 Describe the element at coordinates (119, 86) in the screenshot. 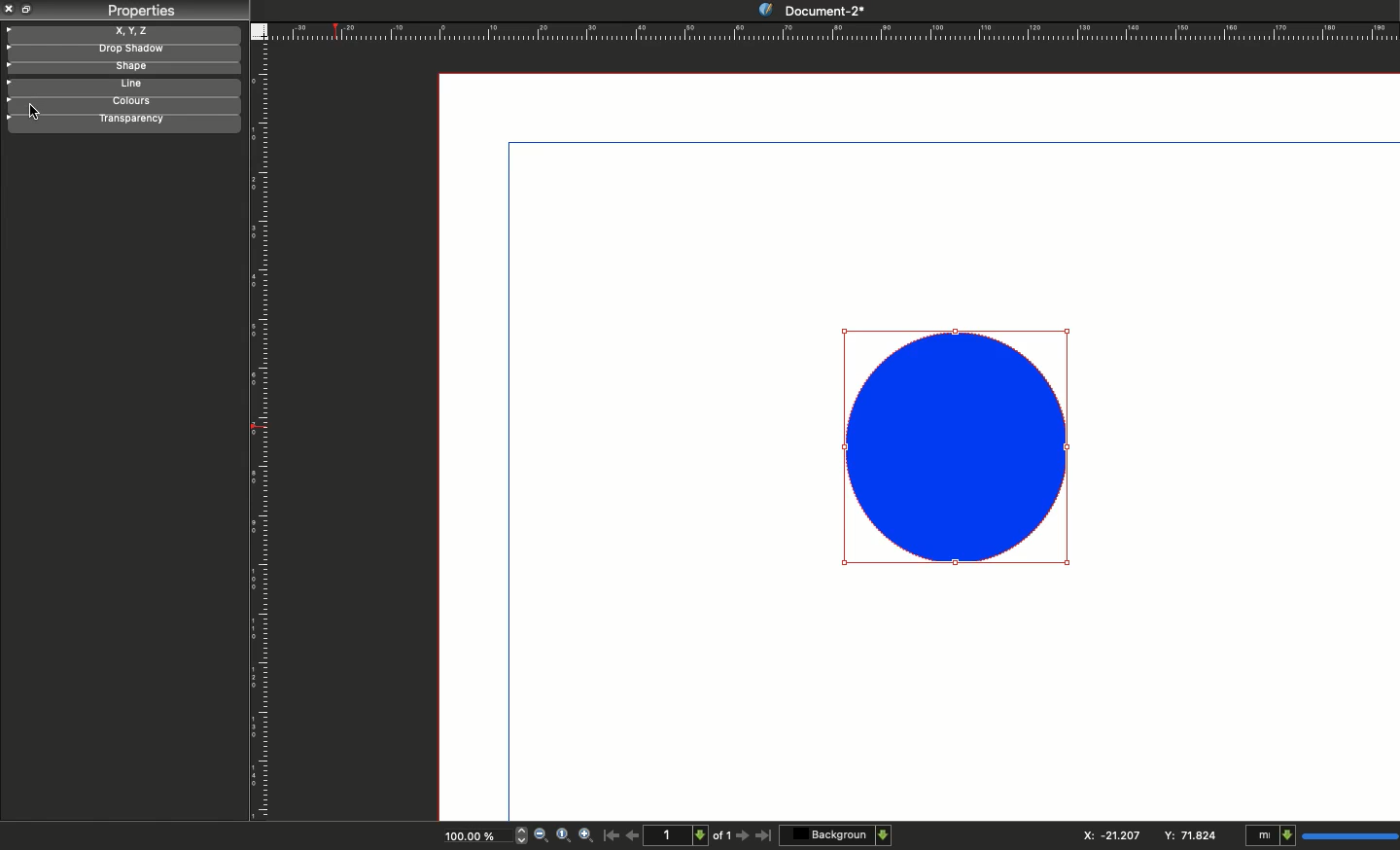

I see `Line` at that location.